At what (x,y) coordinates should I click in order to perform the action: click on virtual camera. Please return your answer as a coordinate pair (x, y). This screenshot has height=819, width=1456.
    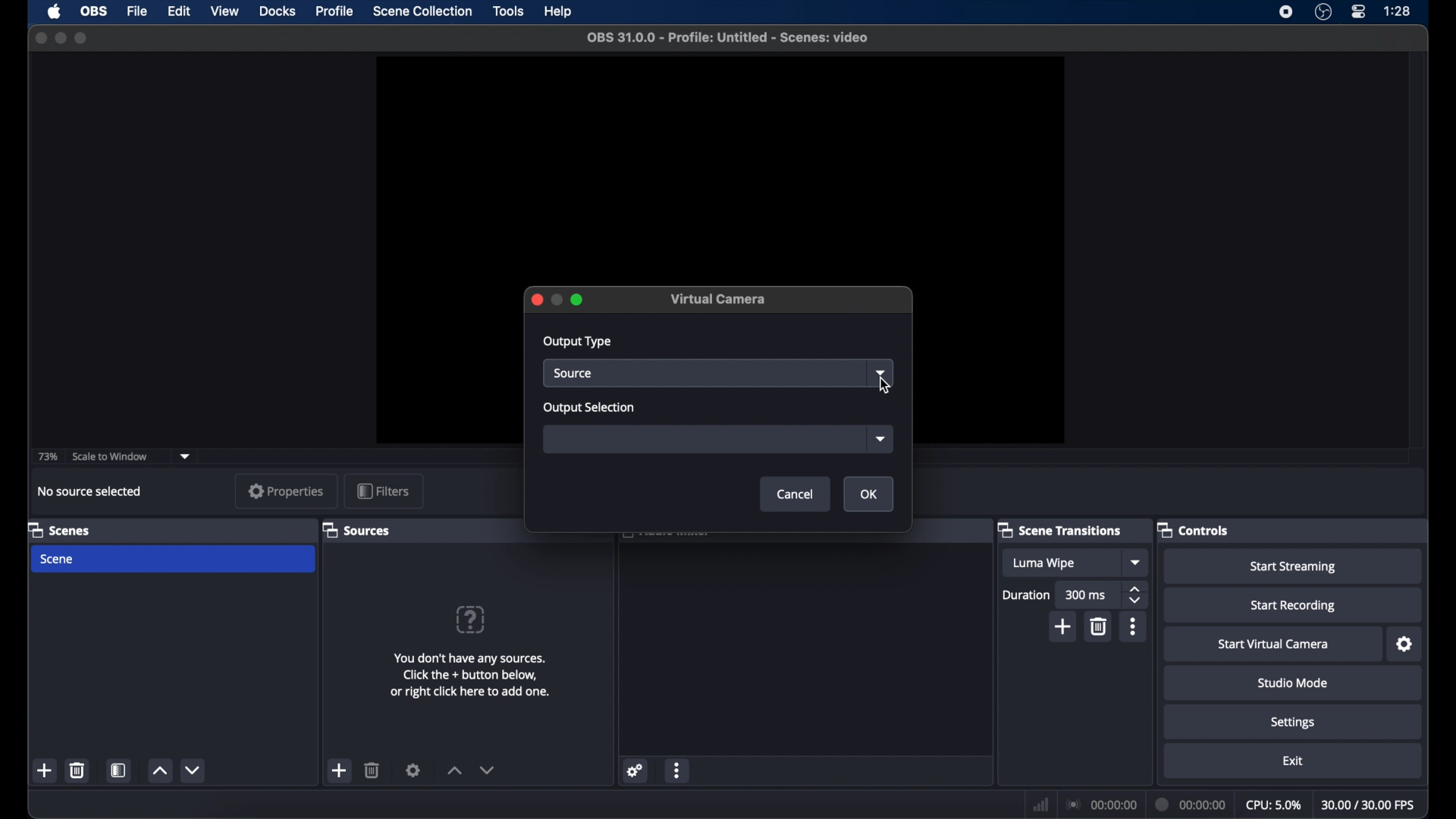
    Looking at the image, I should click on (719, 300).